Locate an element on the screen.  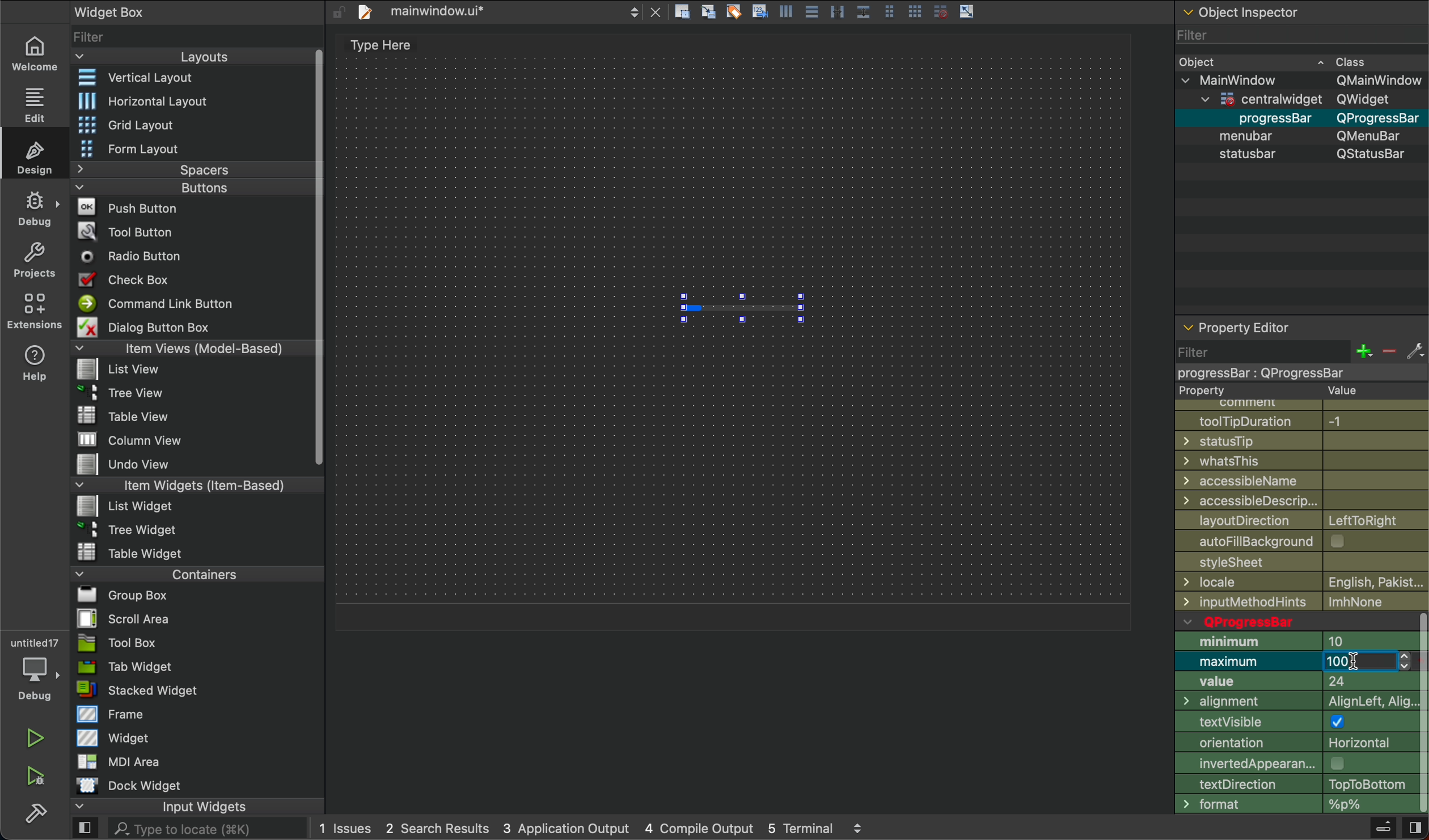
Tool Button is located at coordinates (135, 230).